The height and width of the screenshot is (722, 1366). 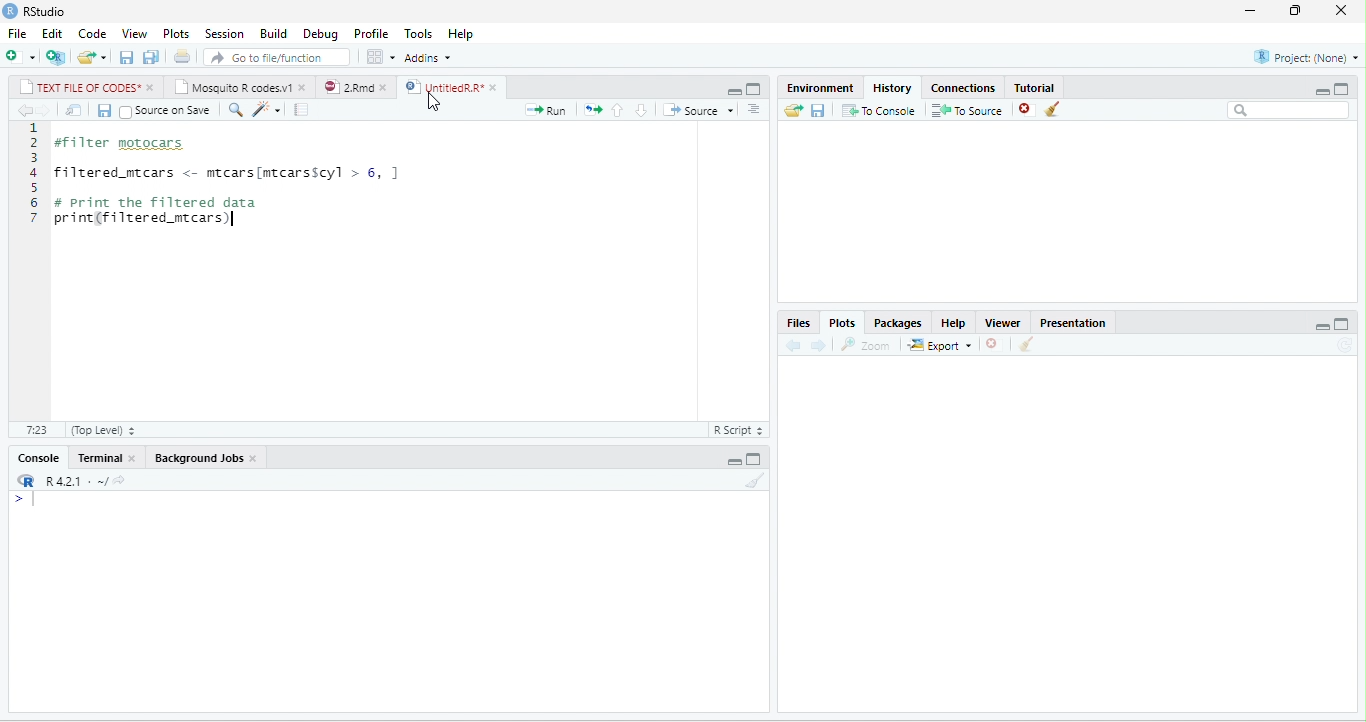 What do you see at coordinates (164, 212) in the screenshot?
I see `# print the filtered dataprint(filtered_mtcars)` at bounding box center [164, 212].